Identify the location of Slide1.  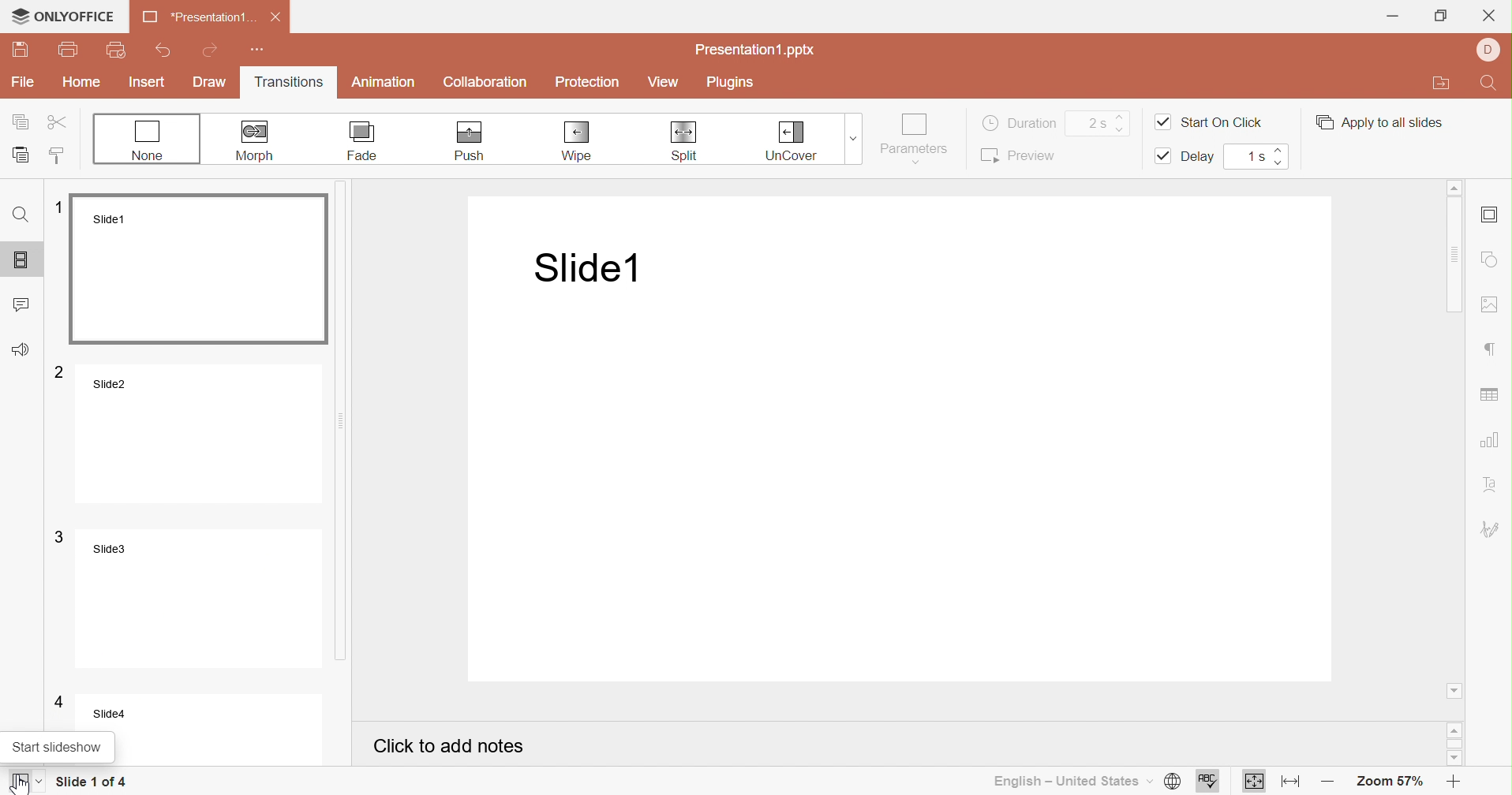
(194, 268).